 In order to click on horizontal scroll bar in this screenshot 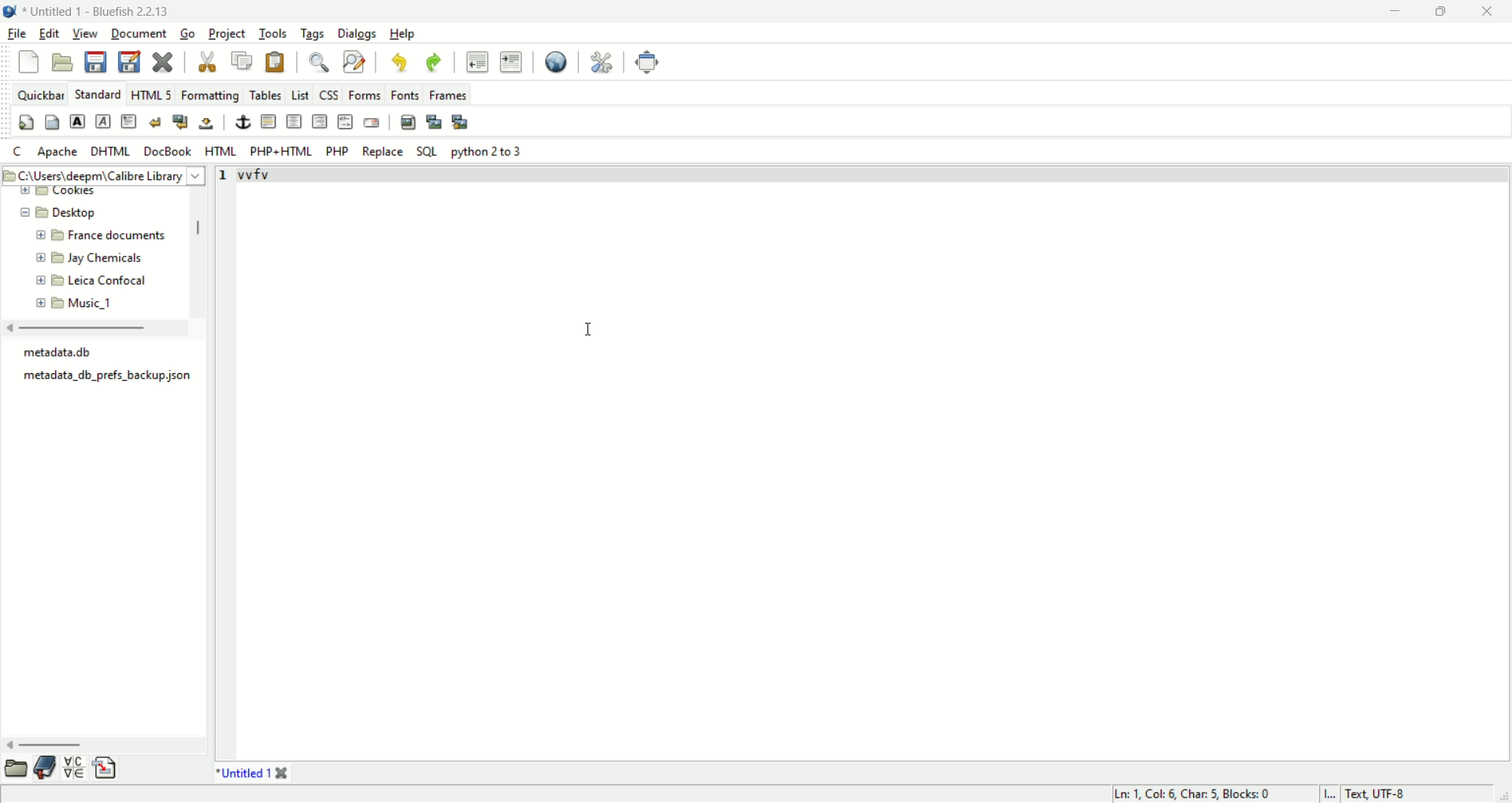, I will do `click(76, 328)`.